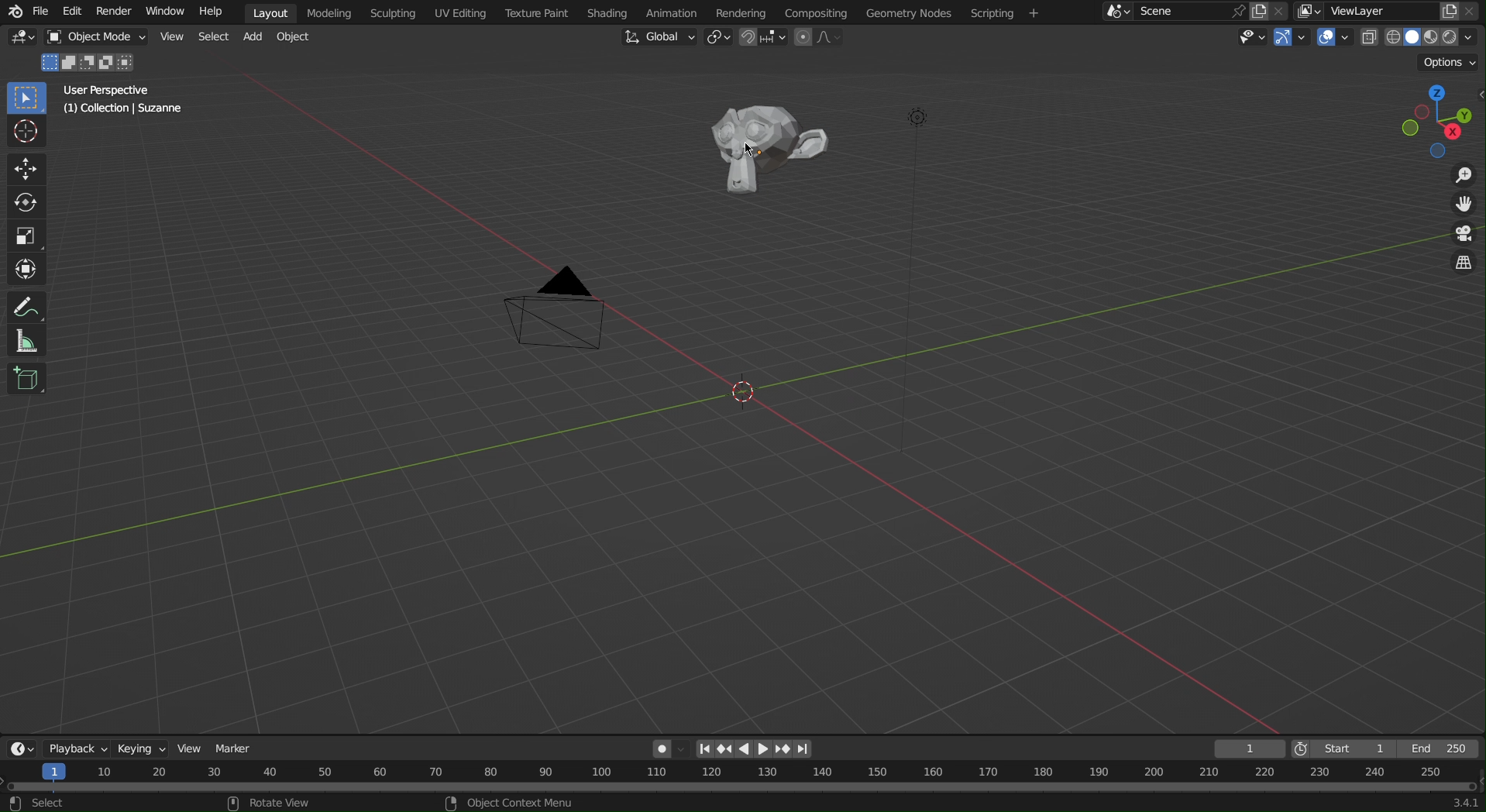  Describe the element at coordinates (719, 39) in the screenshot. I see `Transform Pivot Point` at that location.